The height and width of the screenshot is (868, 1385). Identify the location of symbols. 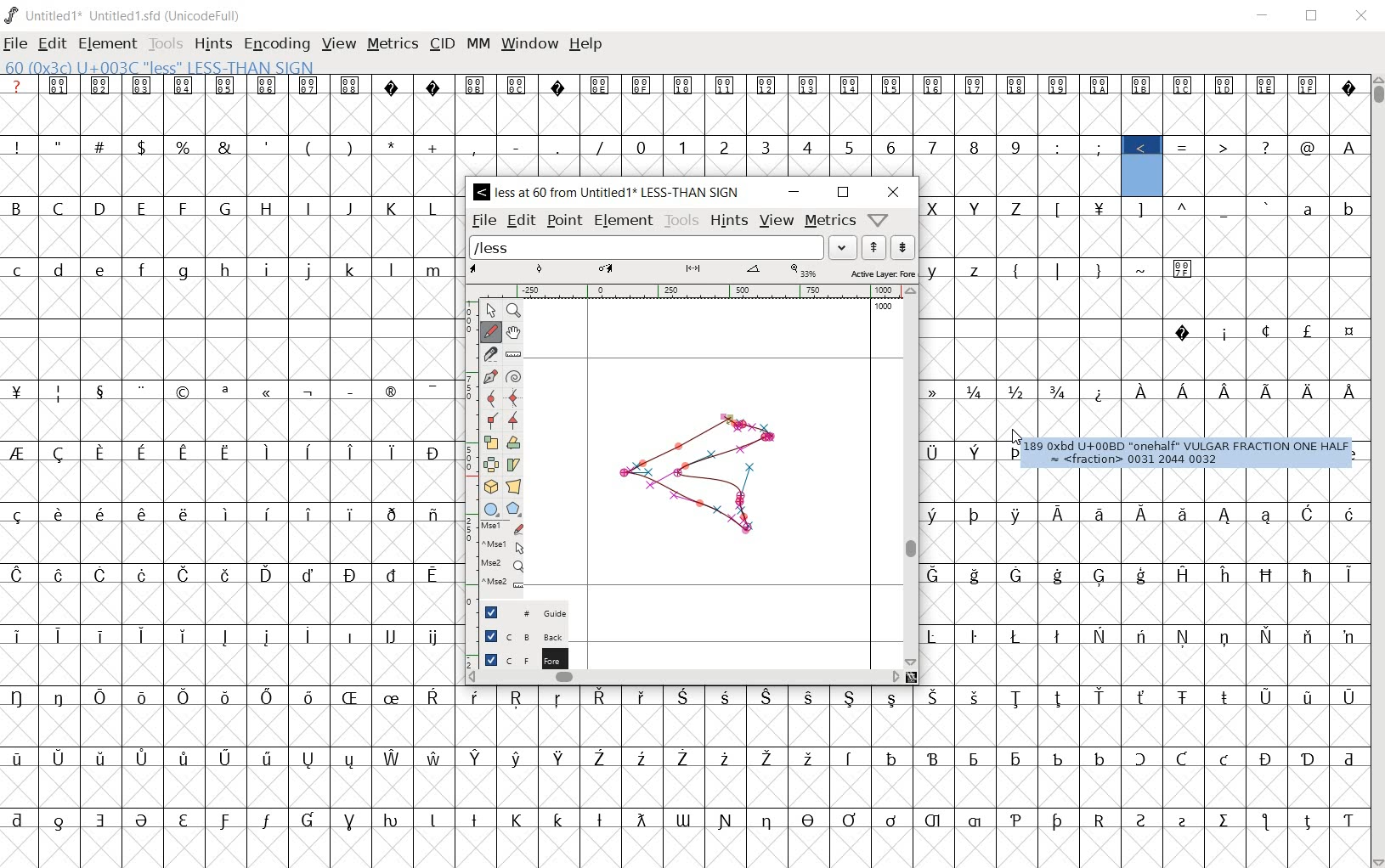
(236, 389).